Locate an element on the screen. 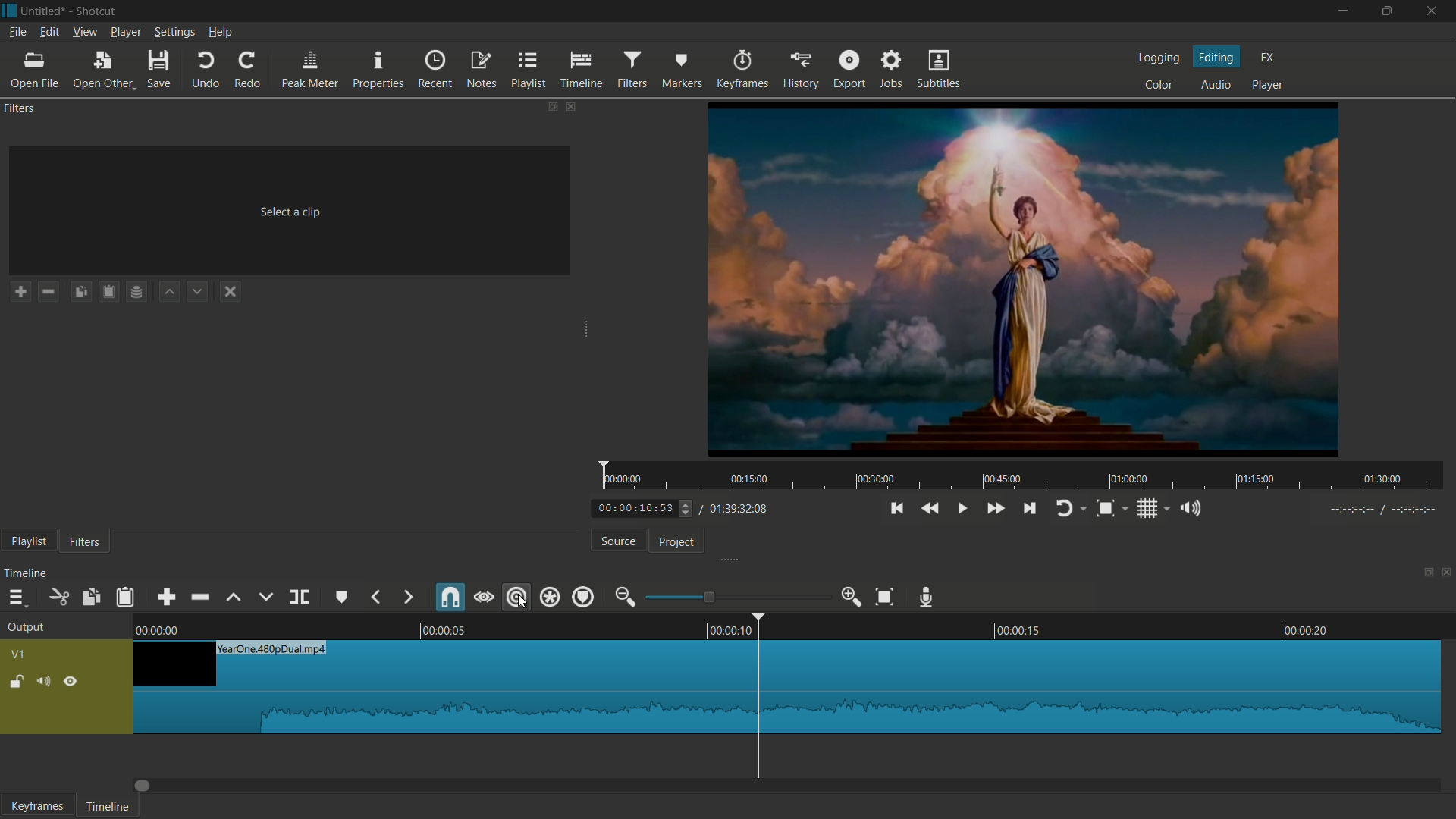 The width and height of the screenshot is (1456, 819). save filter set is located at coordinates (136, 290).